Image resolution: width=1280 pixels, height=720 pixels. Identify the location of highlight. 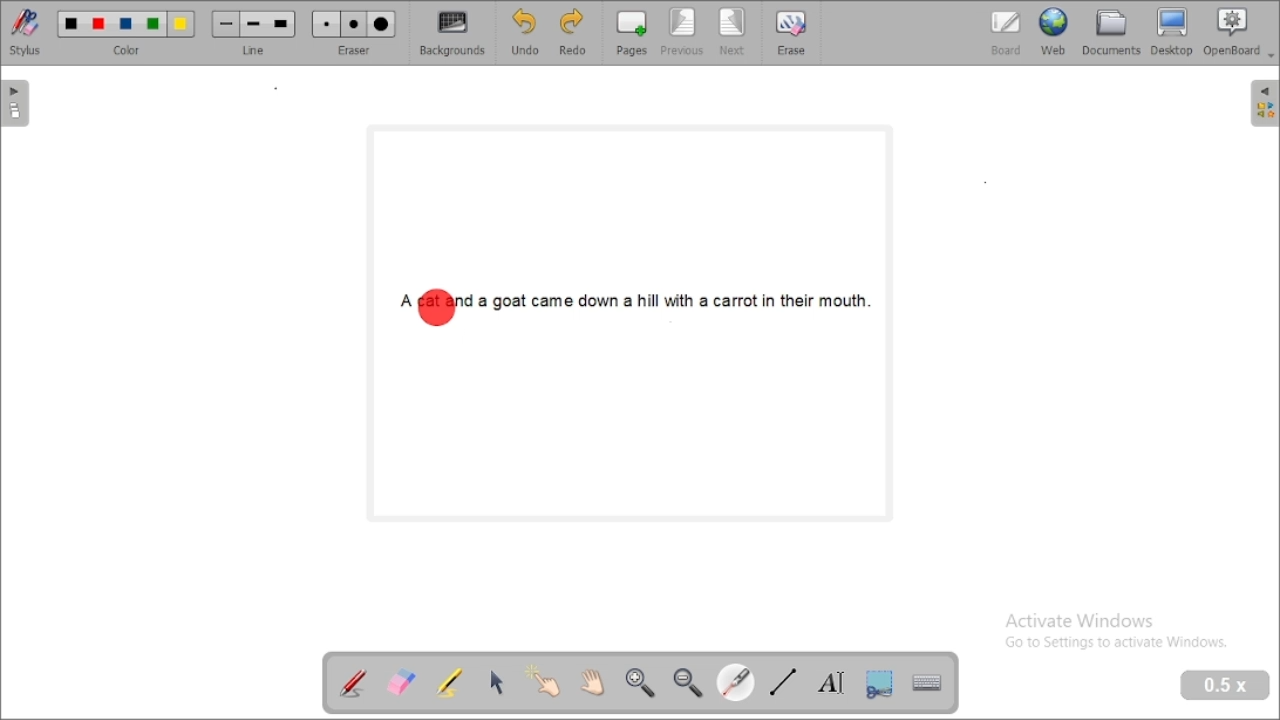
(450, 681).